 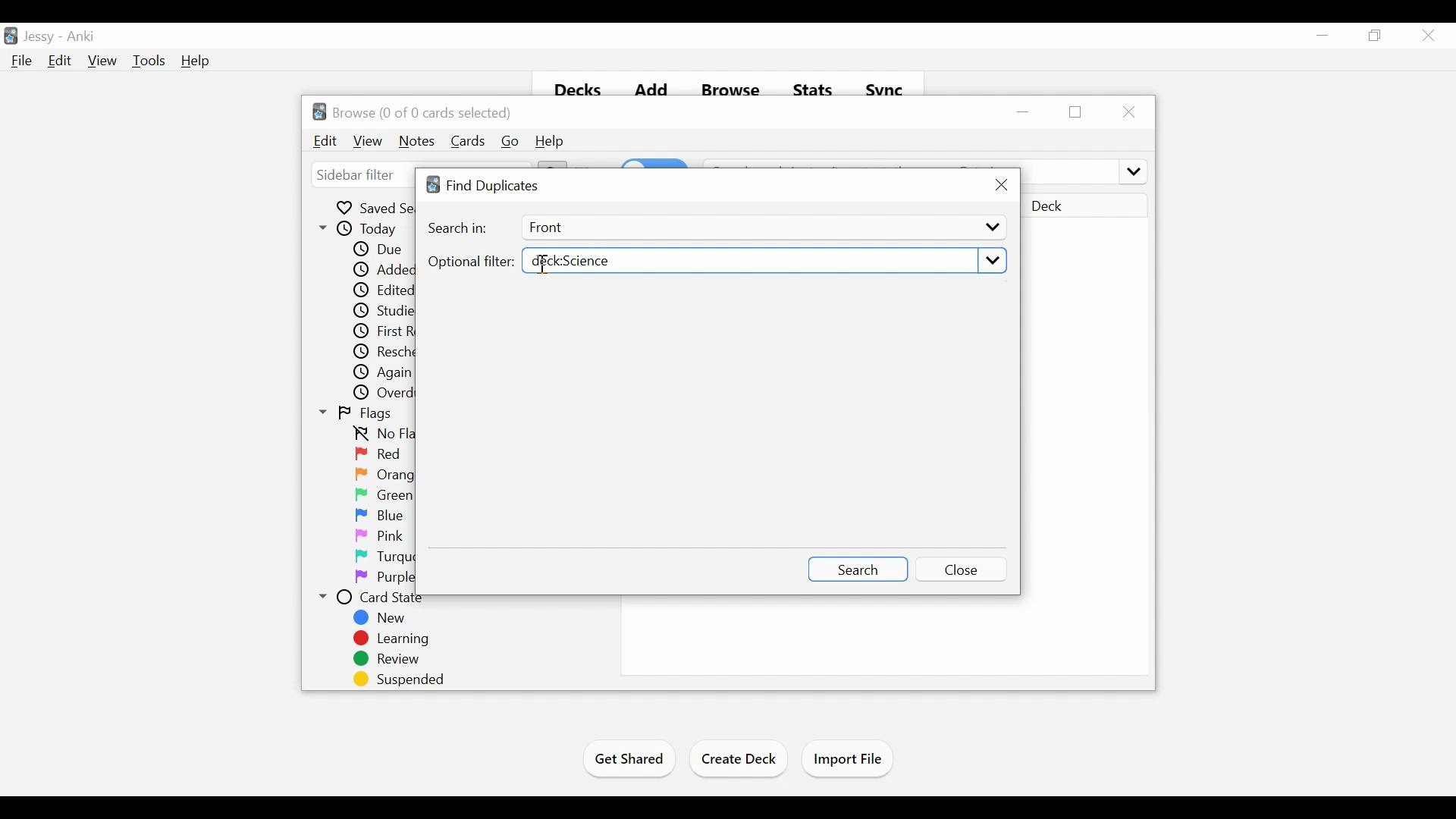 What do you see at coordinates (81, 38) in the screenshot?
I see `Anki` at bounding box center [81, 38].